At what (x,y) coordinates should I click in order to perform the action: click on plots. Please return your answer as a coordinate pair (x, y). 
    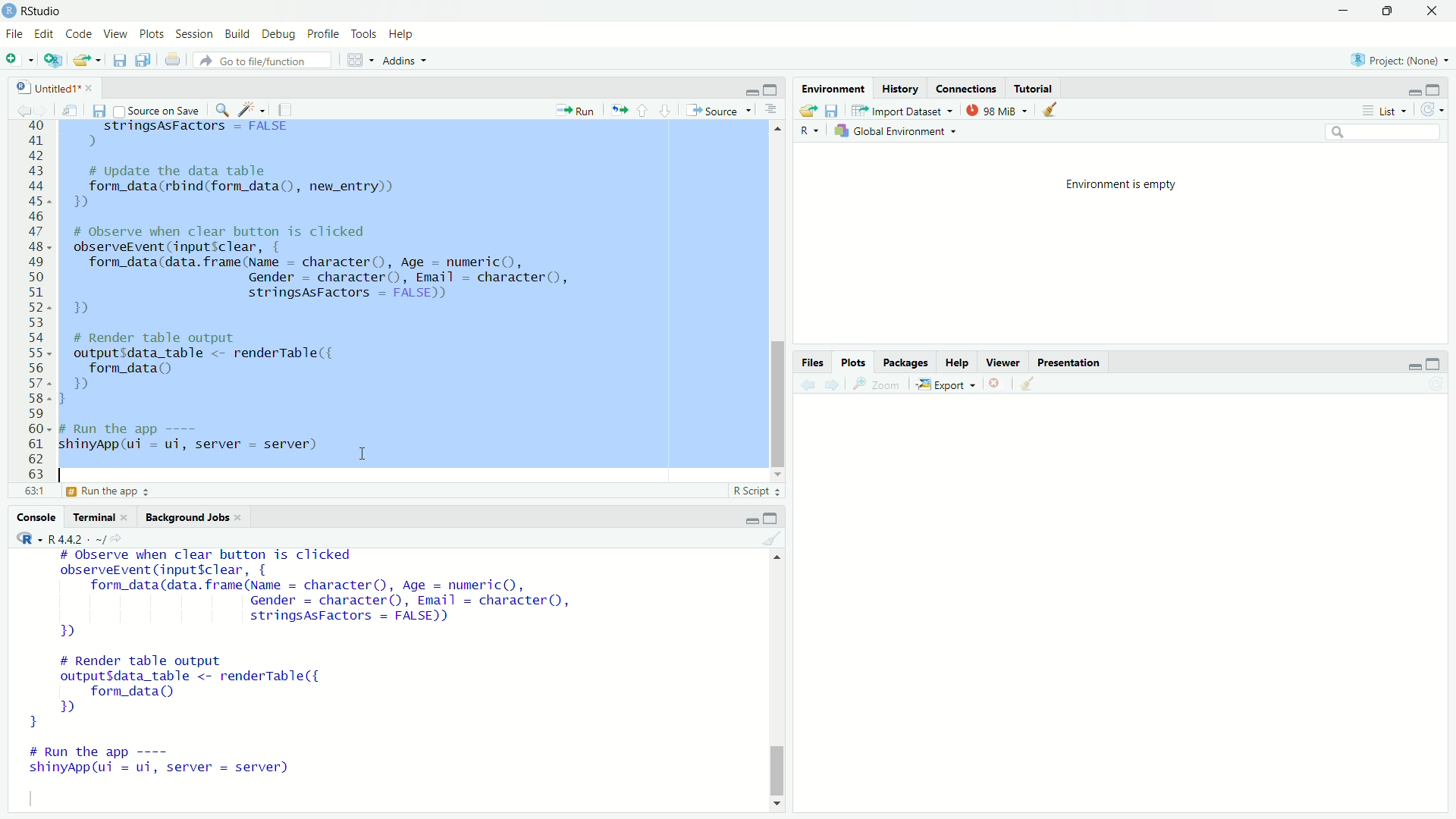
    Looking at the image, I should click on (855, 362).